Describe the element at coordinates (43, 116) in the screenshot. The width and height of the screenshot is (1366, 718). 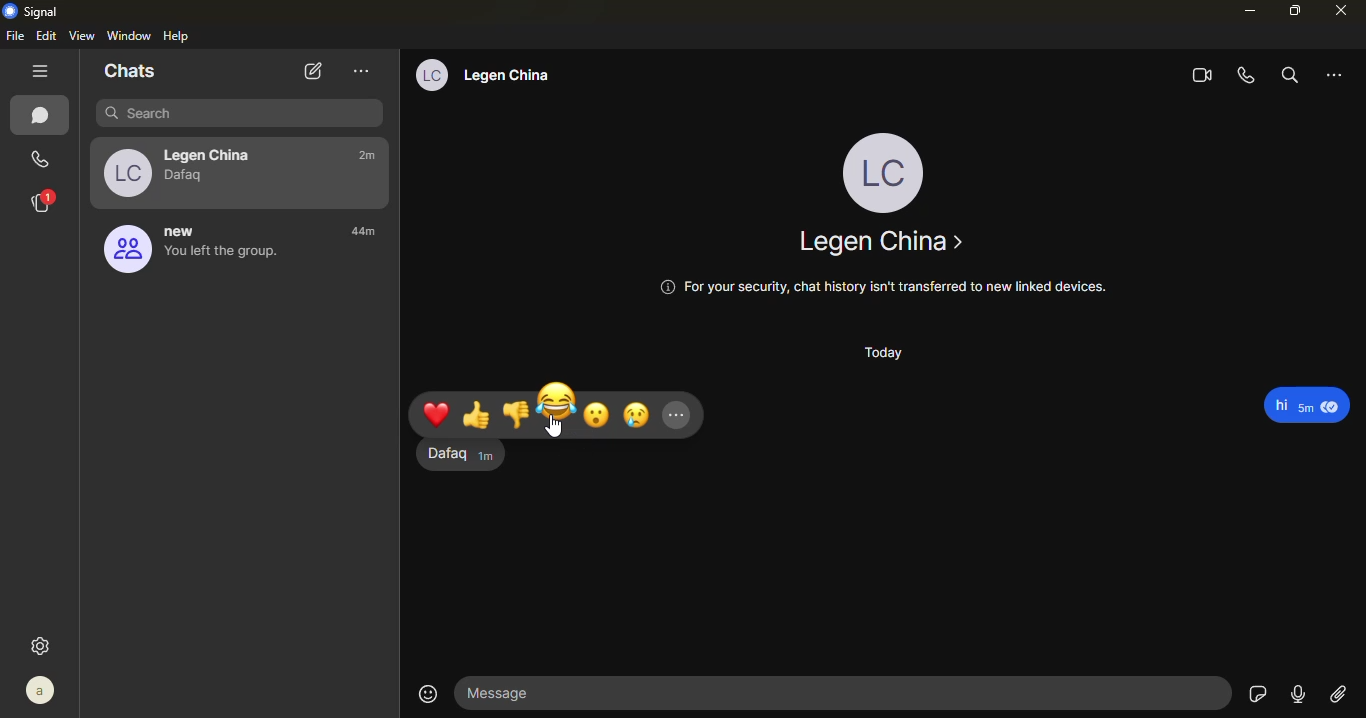
I see `chats` at that location.